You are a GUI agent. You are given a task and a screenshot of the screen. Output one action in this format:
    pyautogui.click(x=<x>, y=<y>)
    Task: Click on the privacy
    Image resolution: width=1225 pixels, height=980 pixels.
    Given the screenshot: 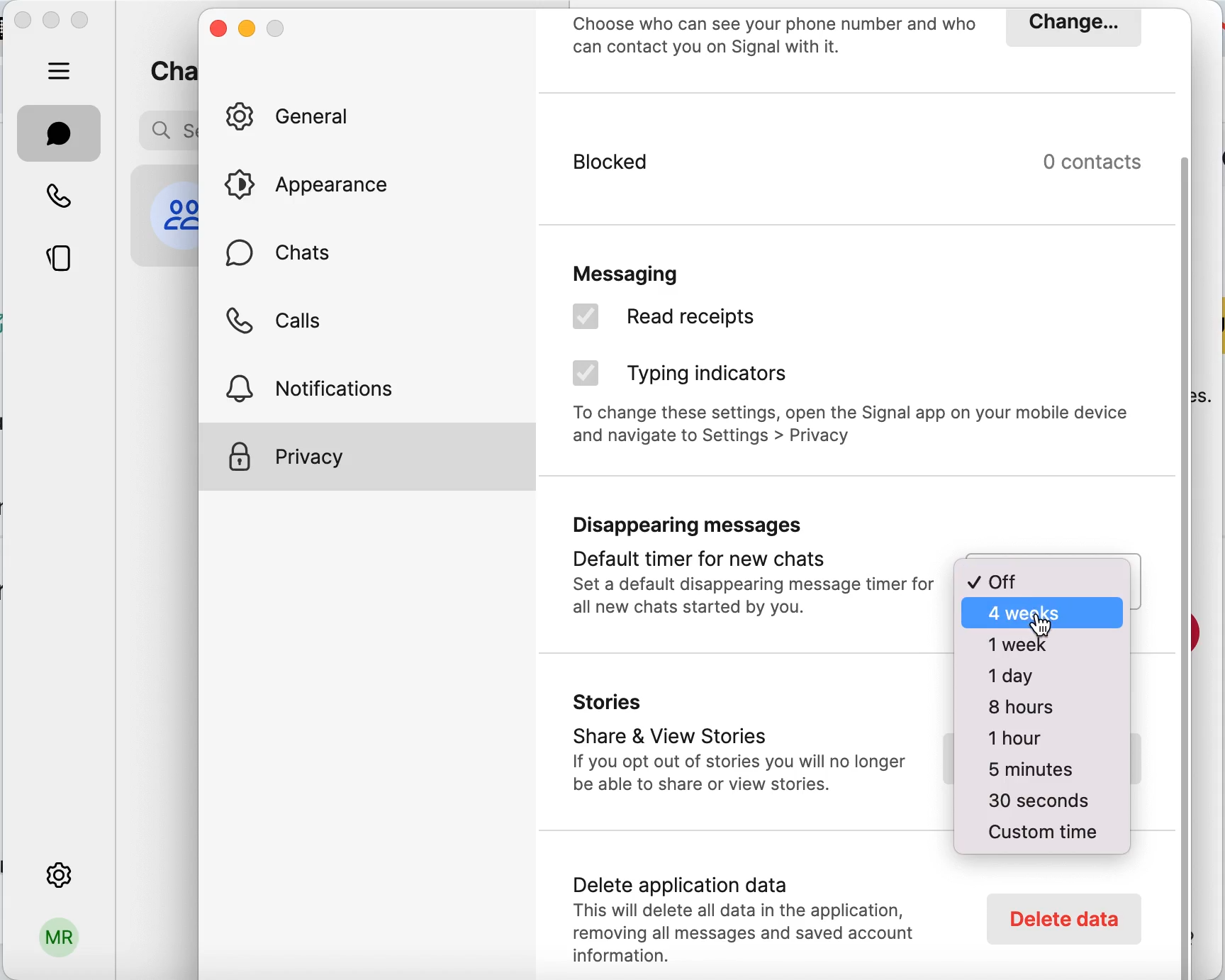 What is the action you would take?
    pyautogui.click(x=369, y=457)
    